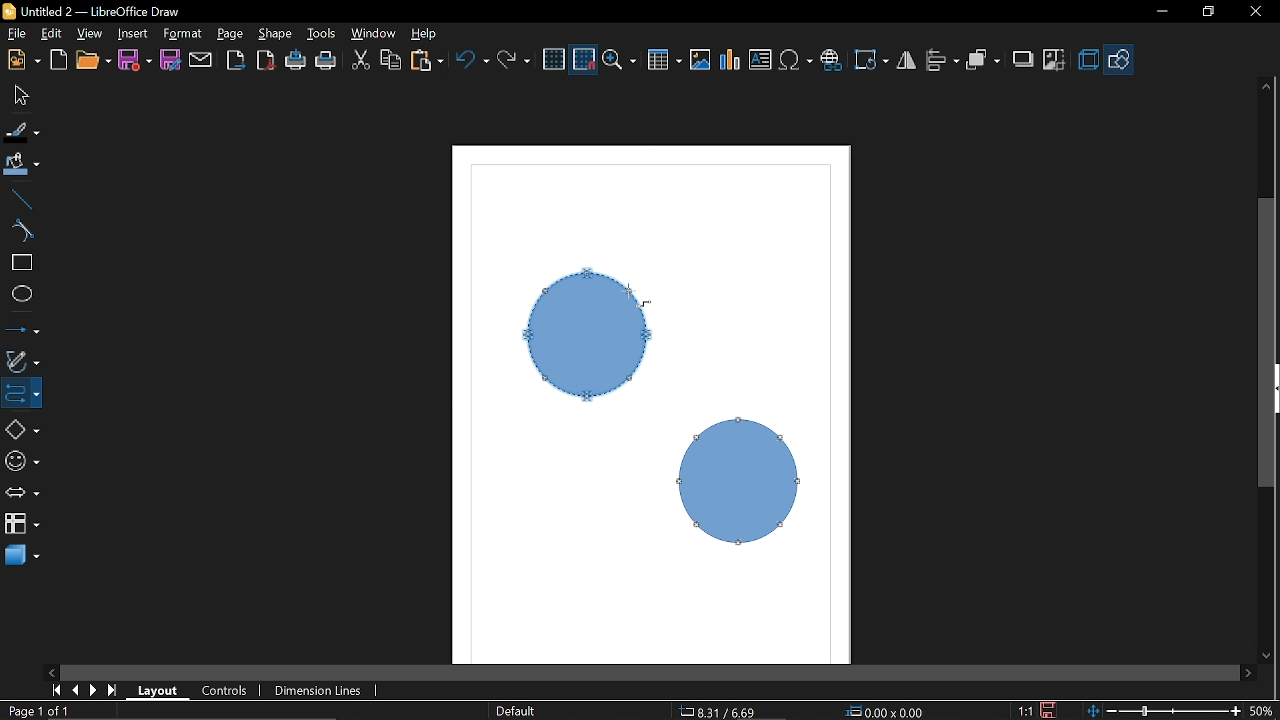 This screenshot has width=1280, height=720. What do you see at coordinates (907, 63) in the screenshot?
I see `Filp` at bounding box center [907, 63].